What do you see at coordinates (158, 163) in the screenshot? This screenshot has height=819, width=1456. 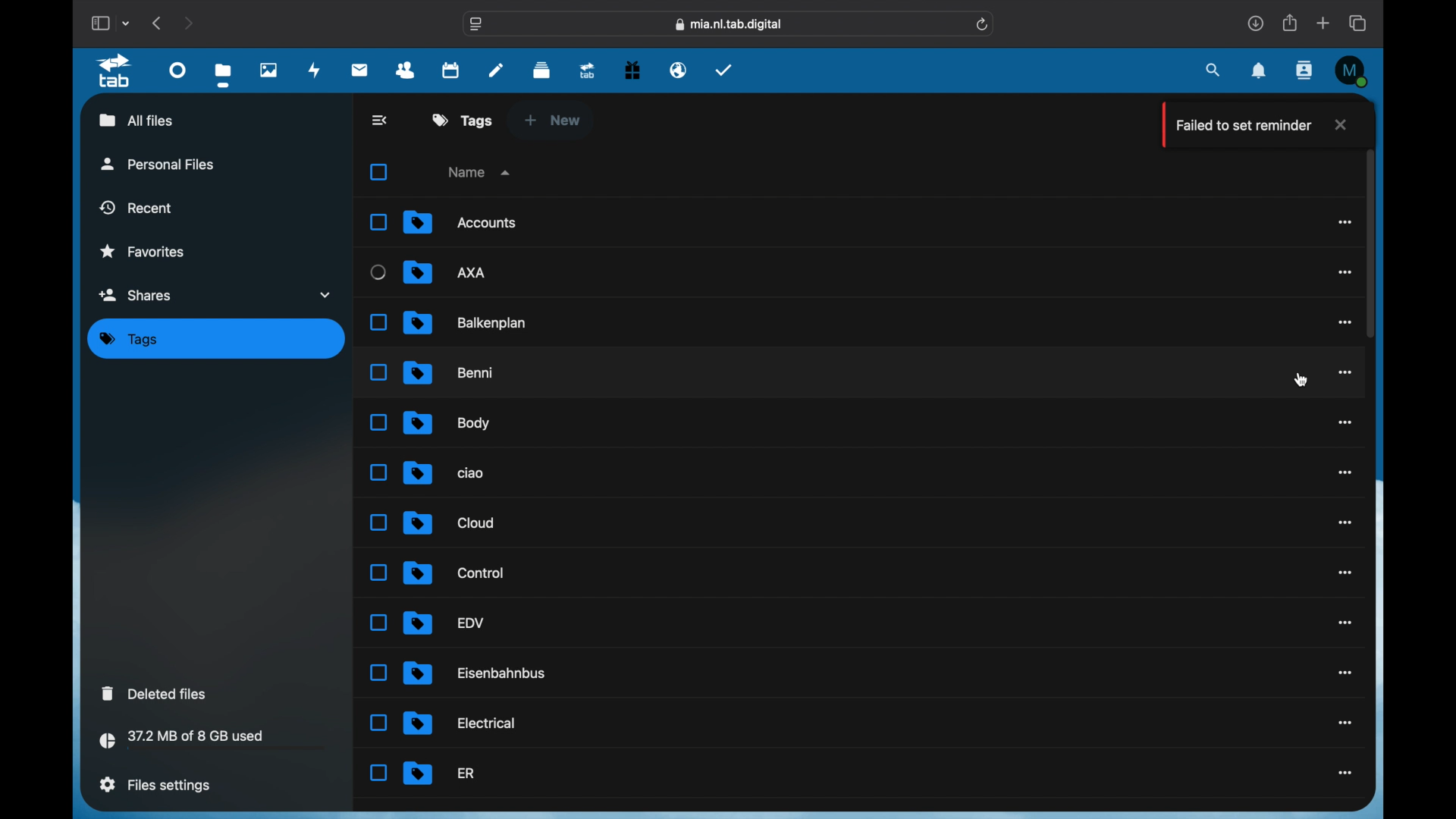 I see `personal files` at bounding box center [158, 163].